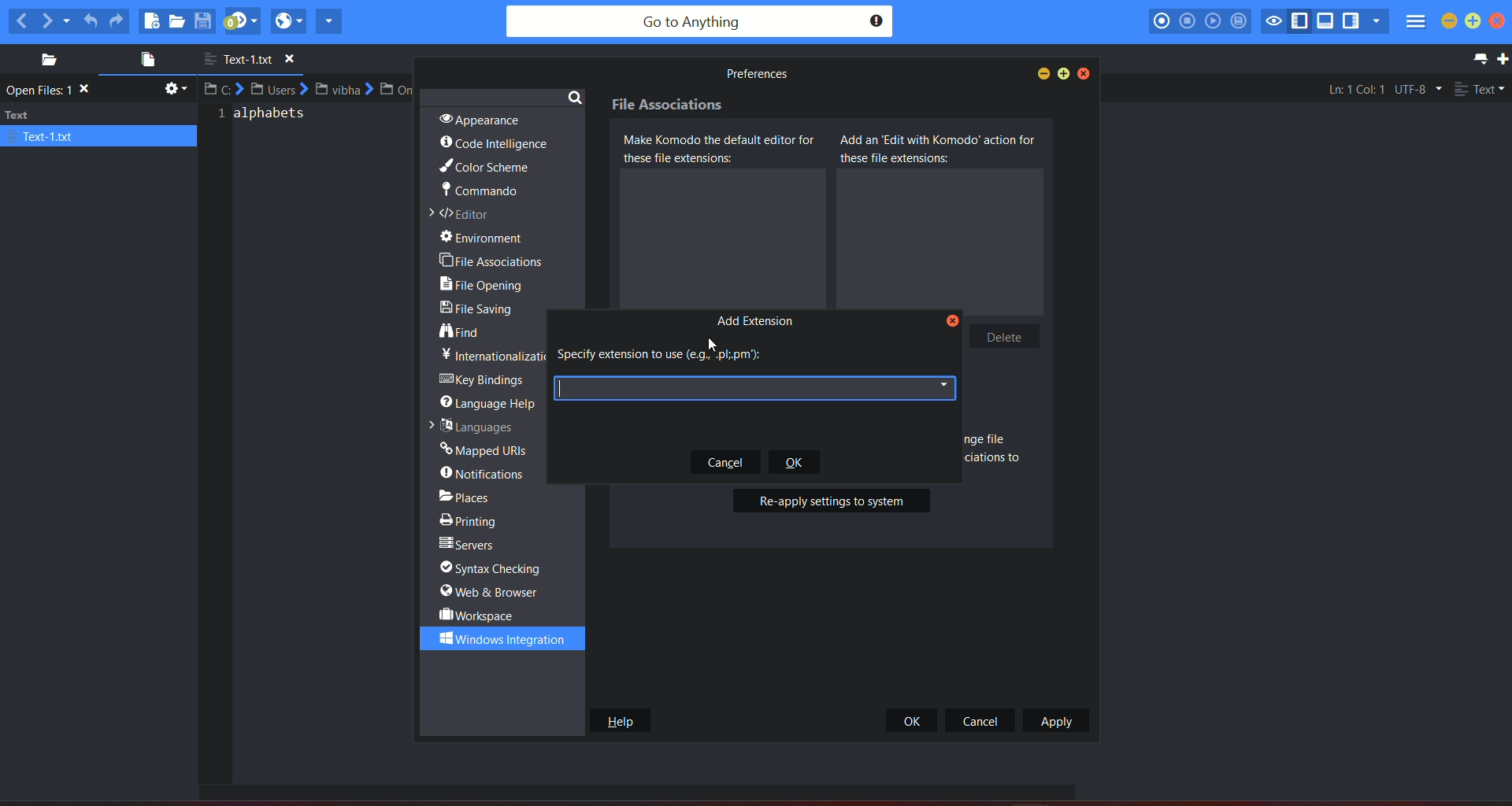 This screenshot has height=806, width=1512. Describe the element at coordinates (1351, 89) in the screenshot. I see `Ln:1 Col:1` at that location.